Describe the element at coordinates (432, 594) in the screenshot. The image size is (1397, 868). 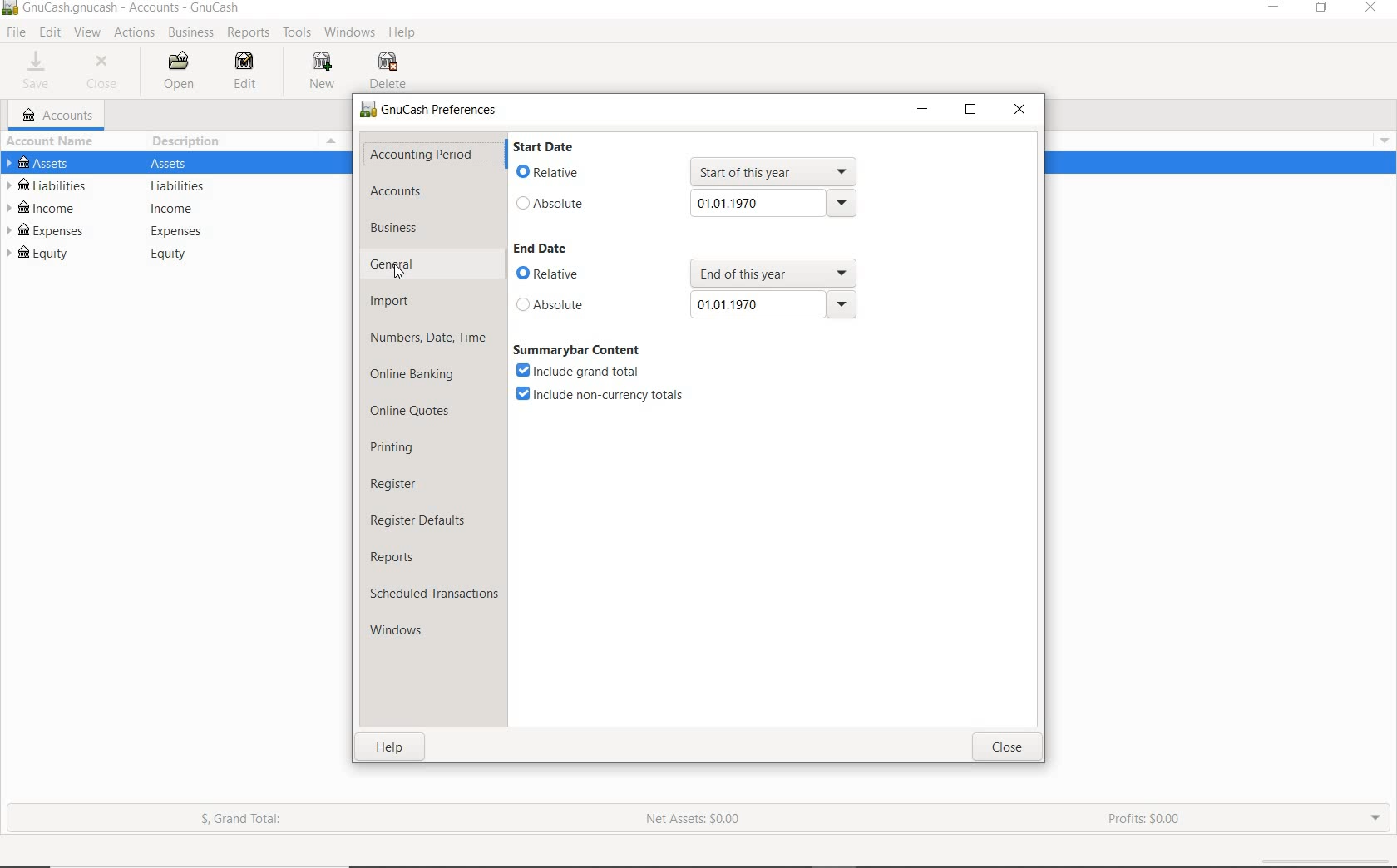
I see `SCHEDULED TRANSACTIONS` at that location.